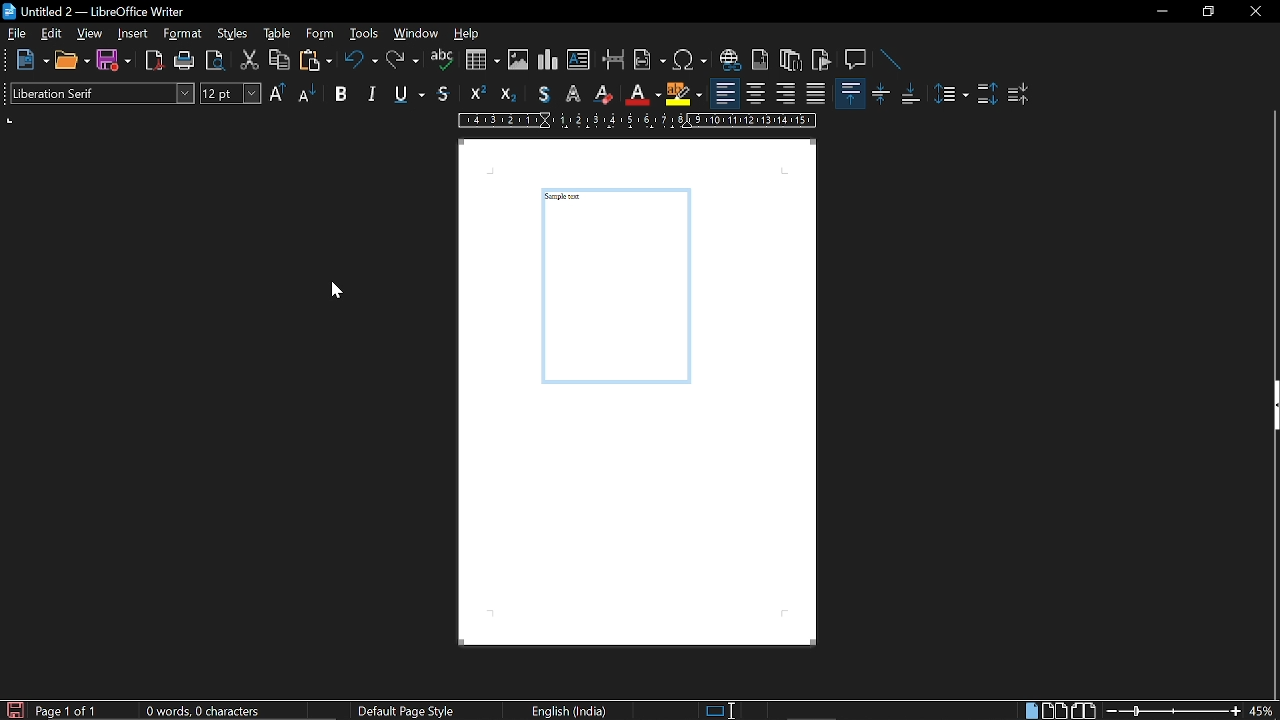 The height and width of the screenshot is (720, 1280). What do you see at coordinates (213, 61) in the screenshot?
I see `toggle print preview` at bounding box center [213, 61].